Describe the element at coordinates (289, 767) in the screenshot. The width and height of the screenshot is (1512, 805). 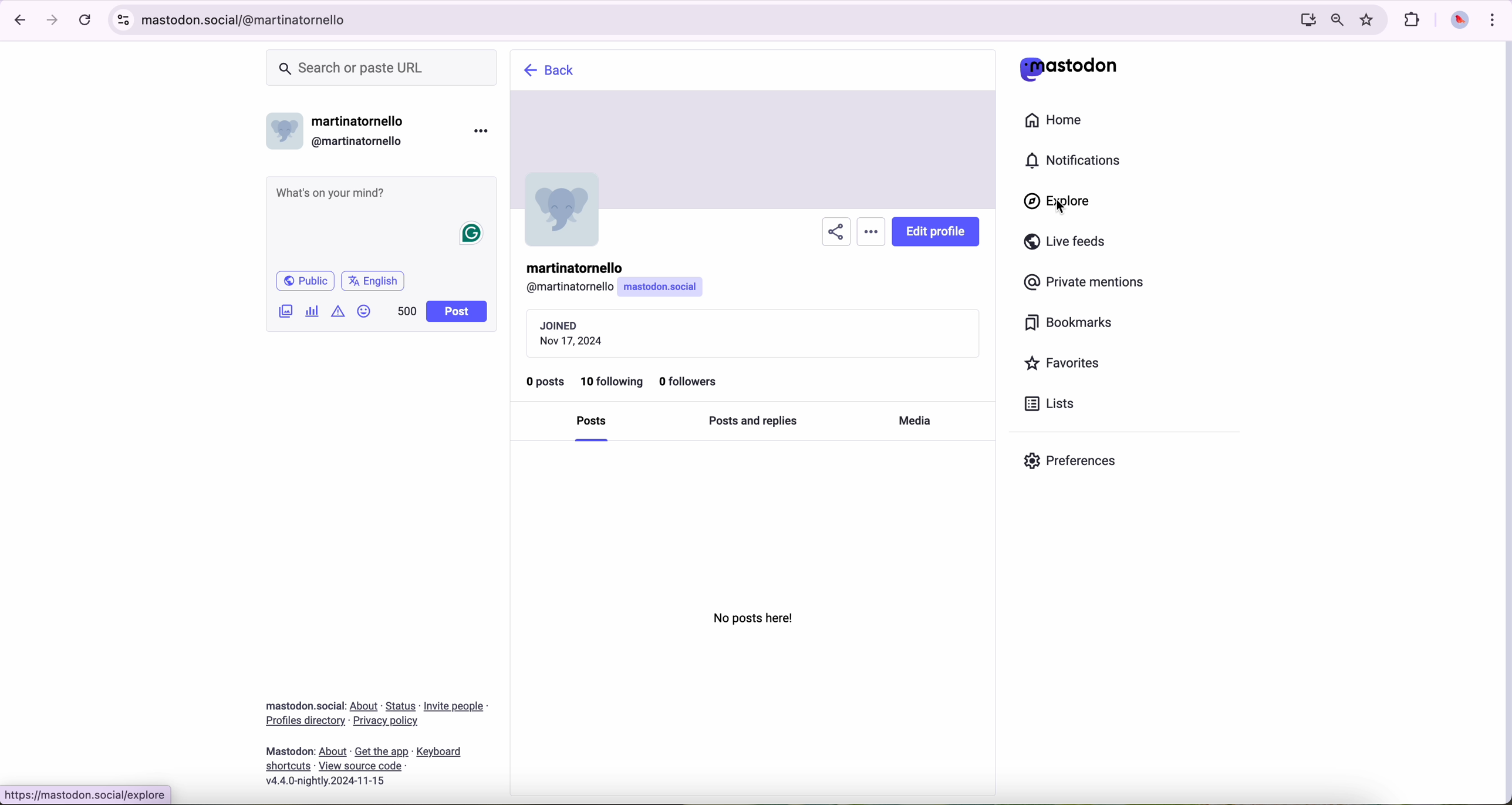
I see `link` at that location.